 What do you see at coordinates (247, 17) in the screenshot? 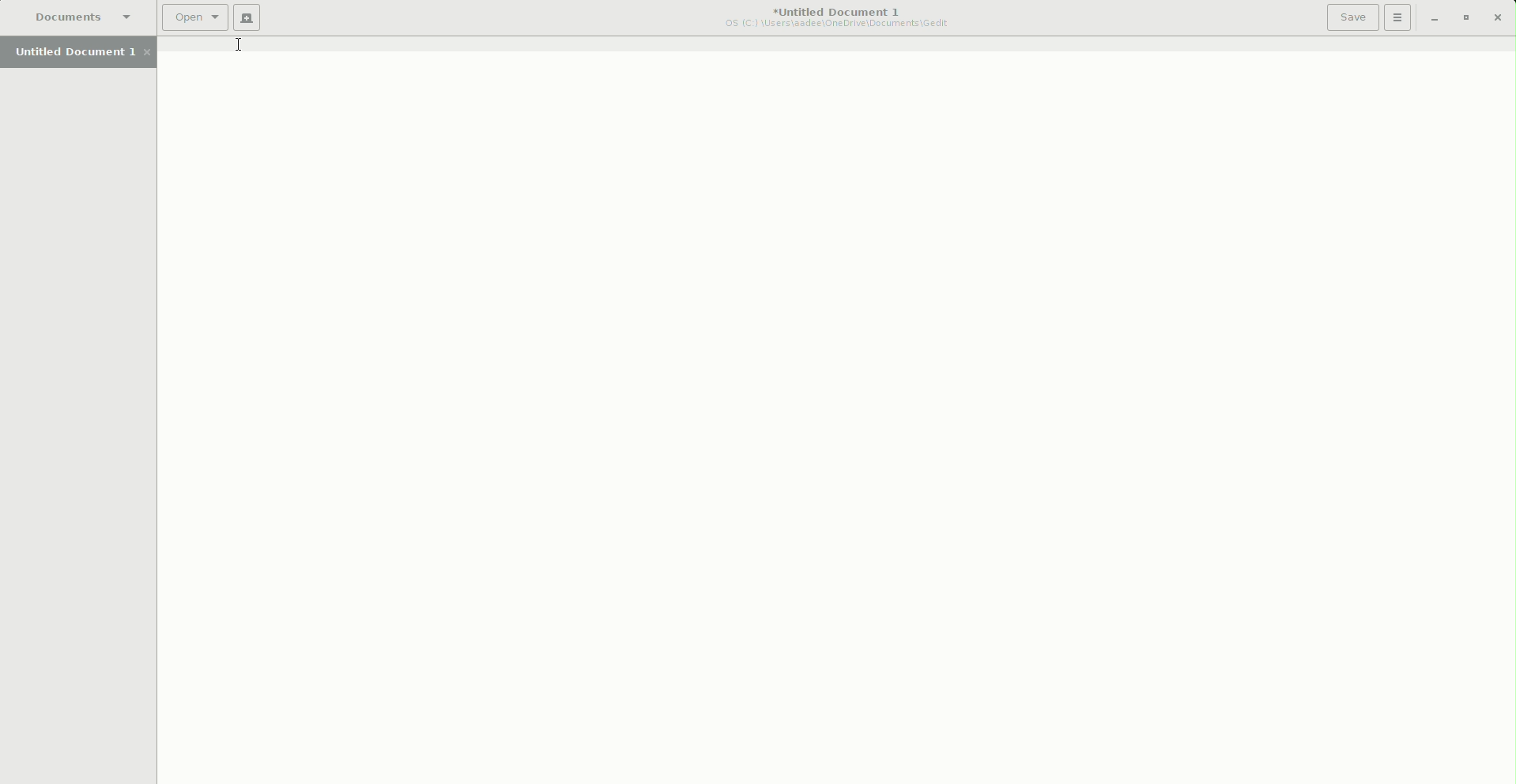
I see `New` at bounding box center [247, 17].